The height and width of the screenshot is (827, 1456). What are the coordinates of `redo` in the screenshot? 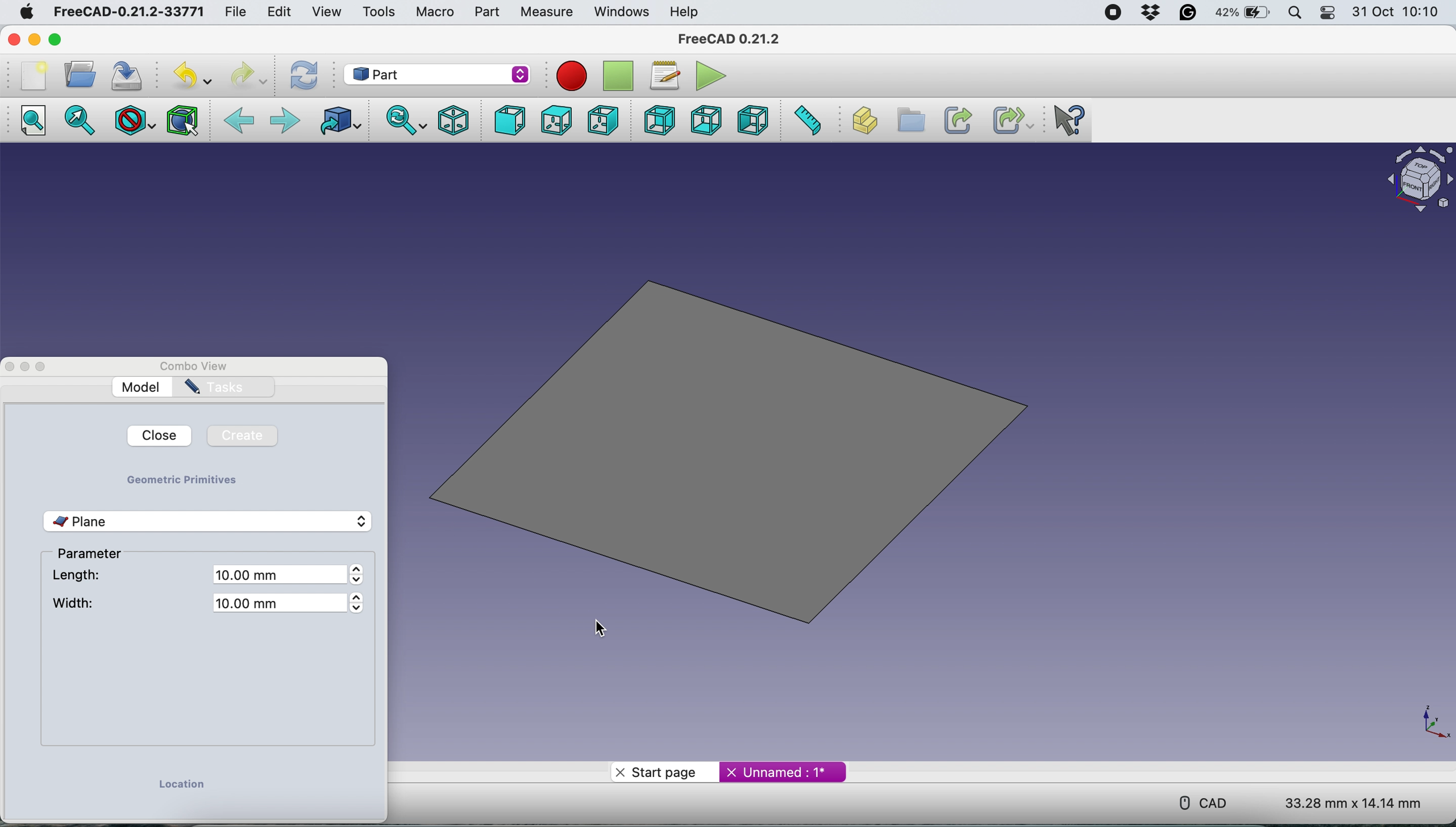 It's located at (246, 74).